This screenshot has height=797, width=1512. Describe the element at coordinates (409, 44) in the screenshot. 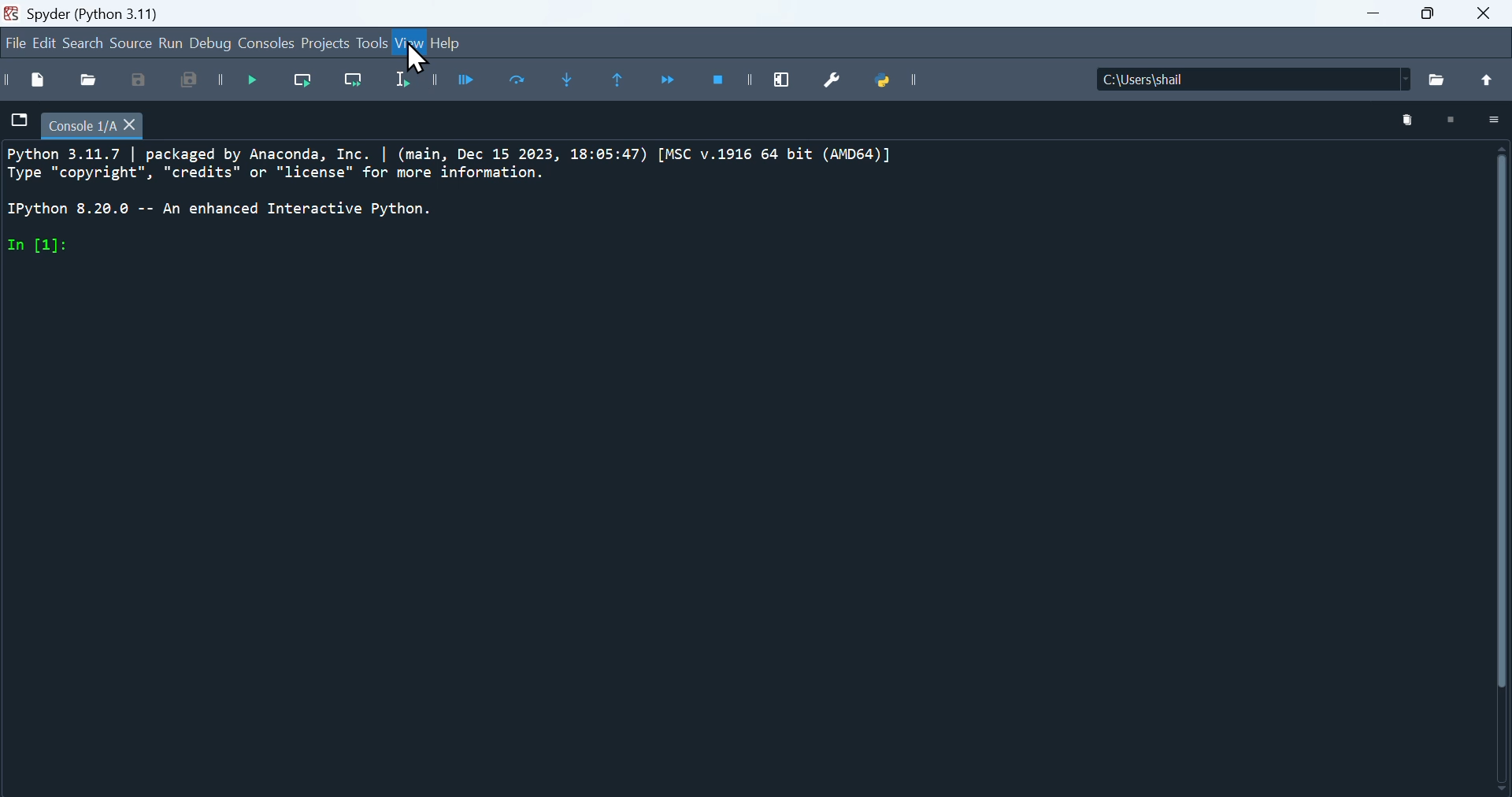

I see `view` at that location.